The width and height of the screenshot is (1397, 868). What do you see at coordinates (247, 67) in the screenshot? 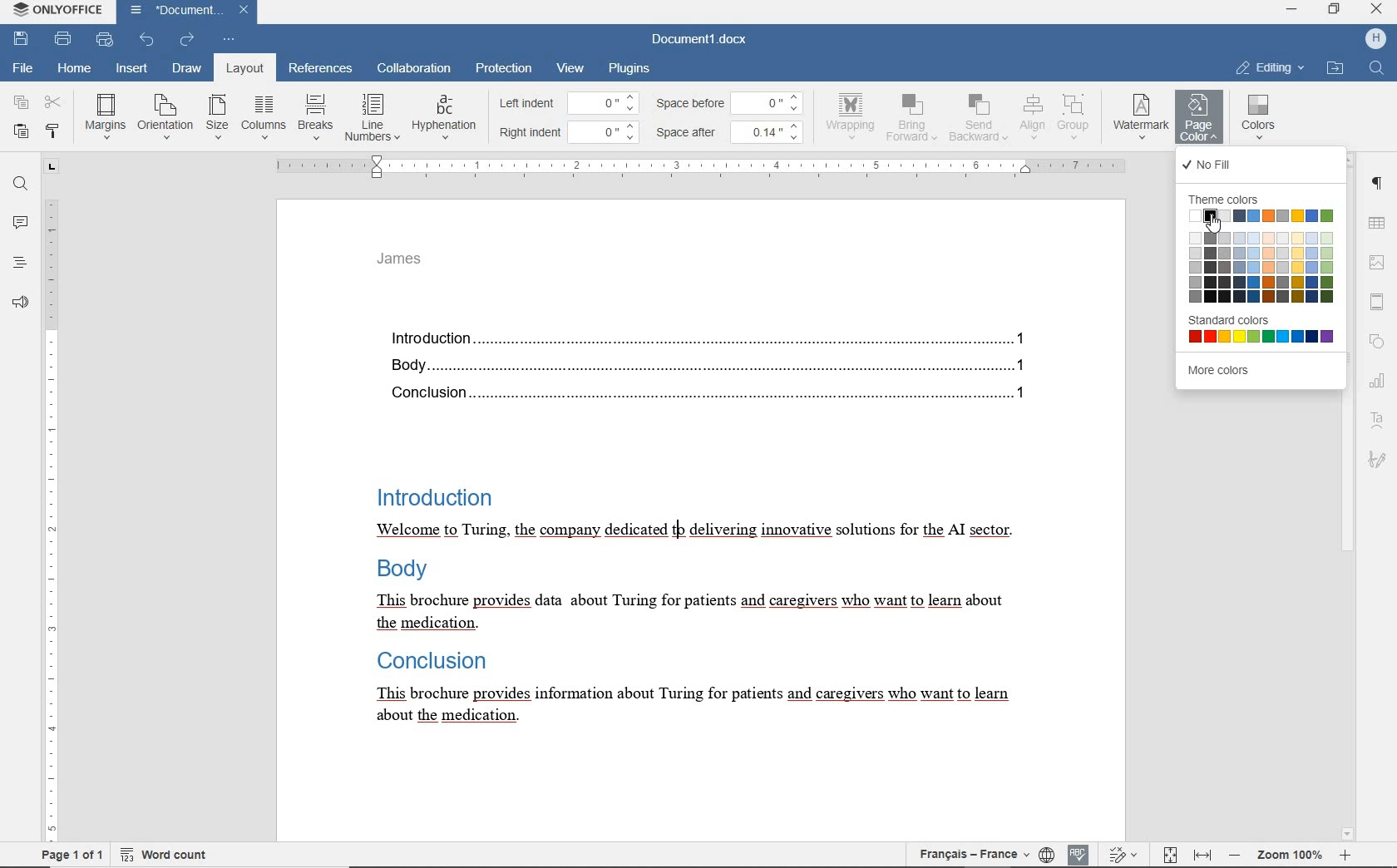
I see `layout` at bounding box center [247, 67].